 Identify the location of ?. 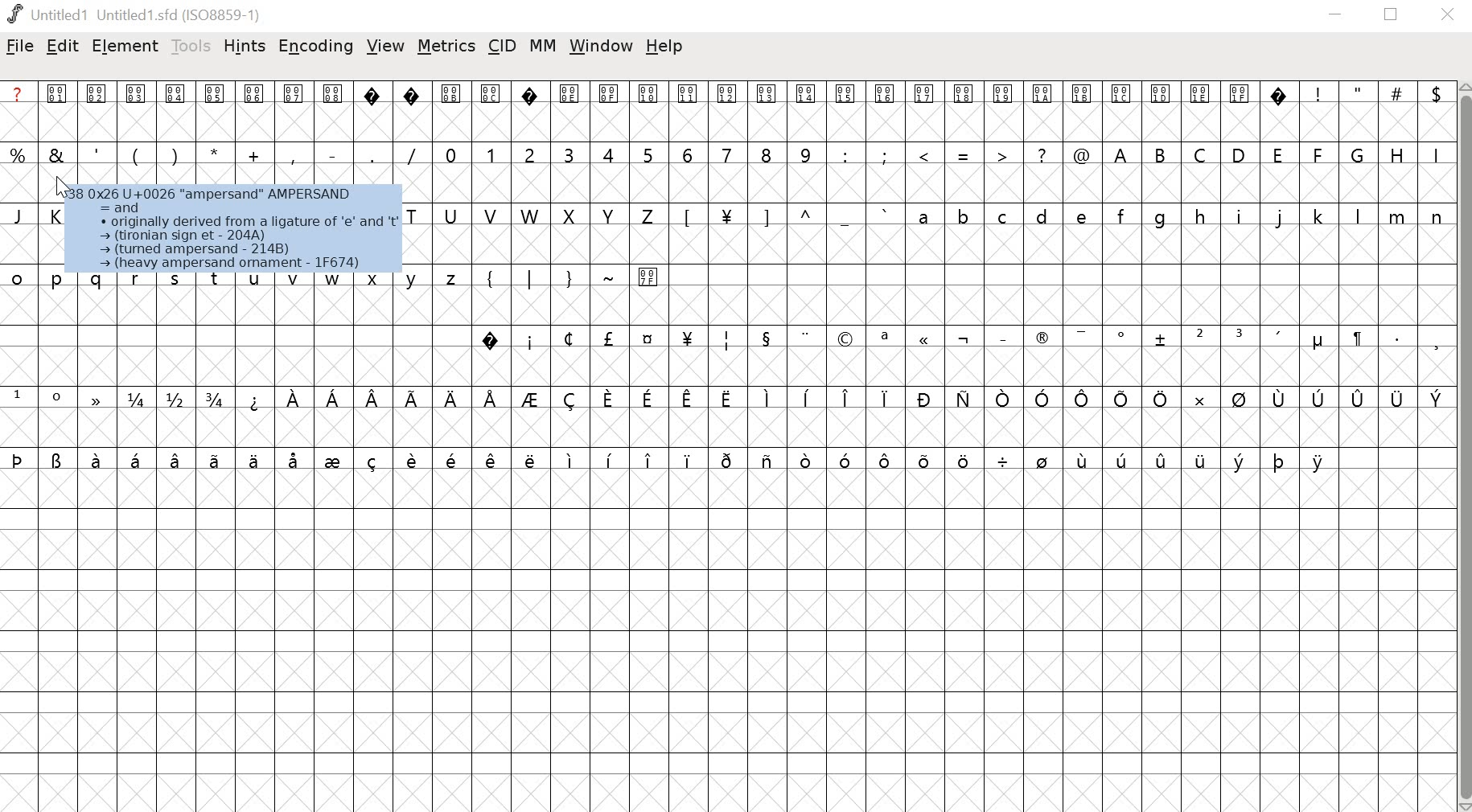
(374, 112).